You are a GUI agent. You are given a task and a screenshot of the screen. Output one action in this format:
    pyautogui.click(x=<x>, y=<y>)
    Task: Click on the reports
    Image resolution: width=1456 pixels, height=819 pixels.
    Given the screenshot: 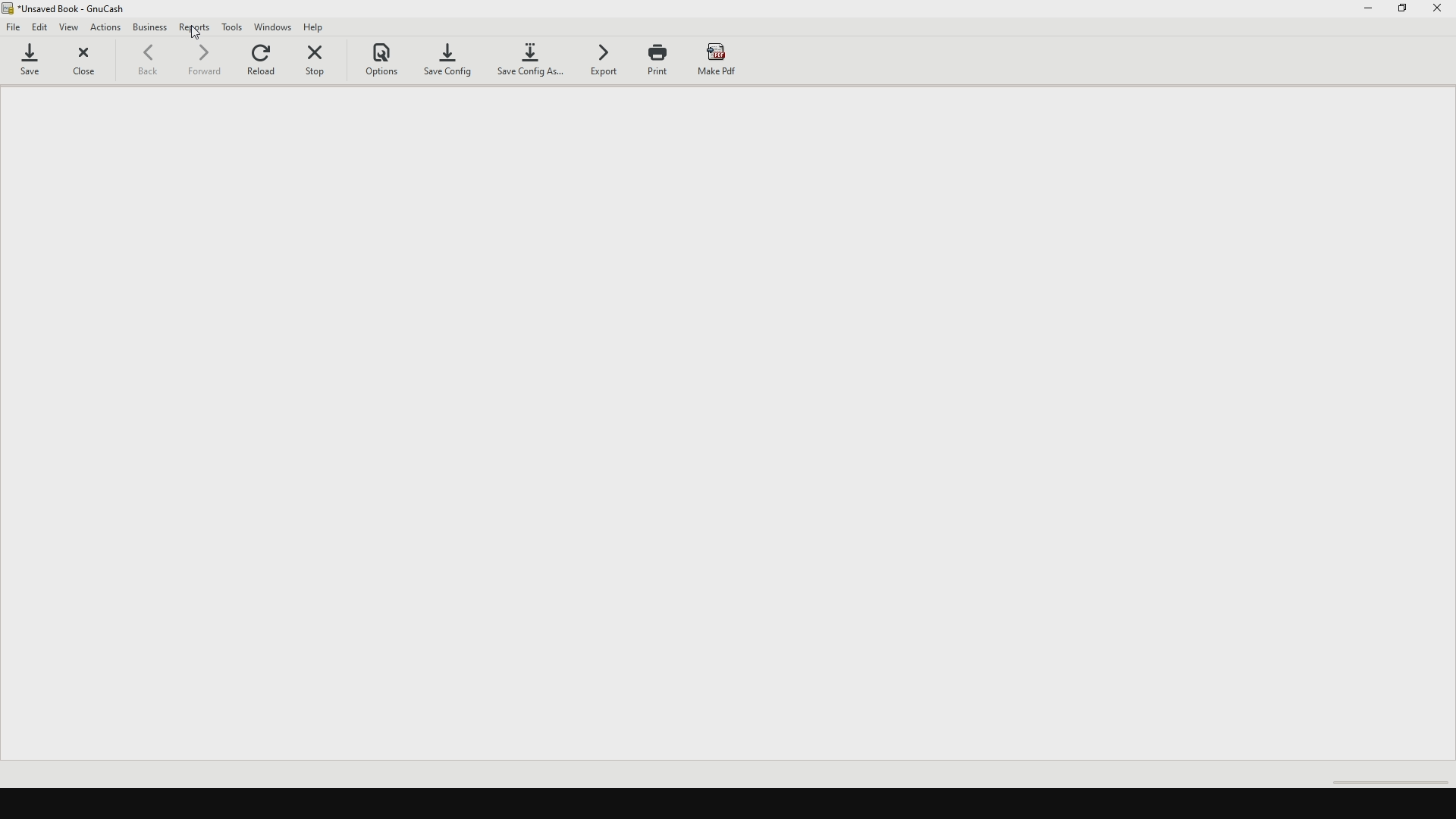 What is the action you would take?
    pyautogui.click(x=195, y=24)
    